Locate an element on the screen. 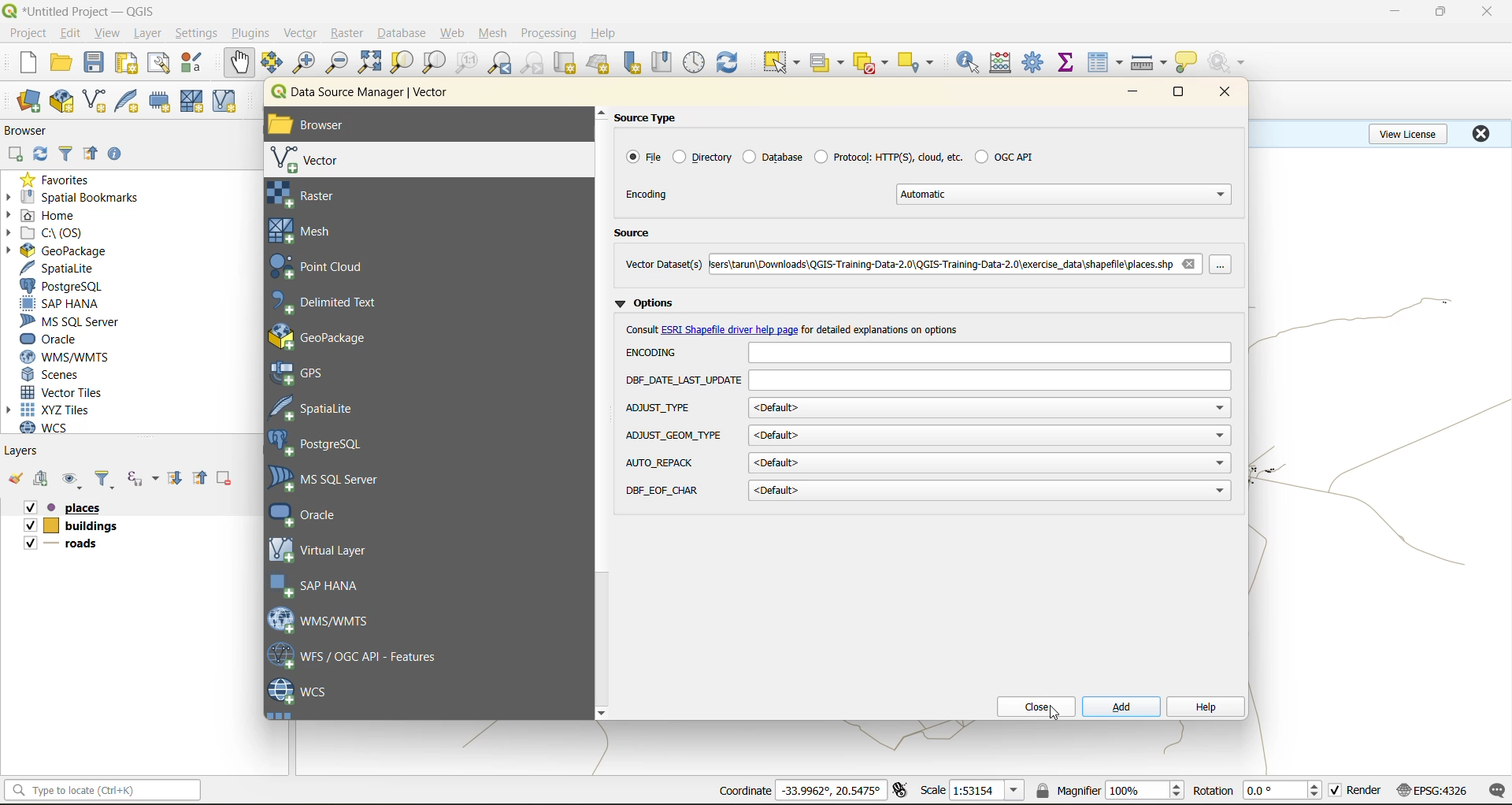 The width and height of the screenshot is (1512, 805). project is located at coordinates (28, 34).